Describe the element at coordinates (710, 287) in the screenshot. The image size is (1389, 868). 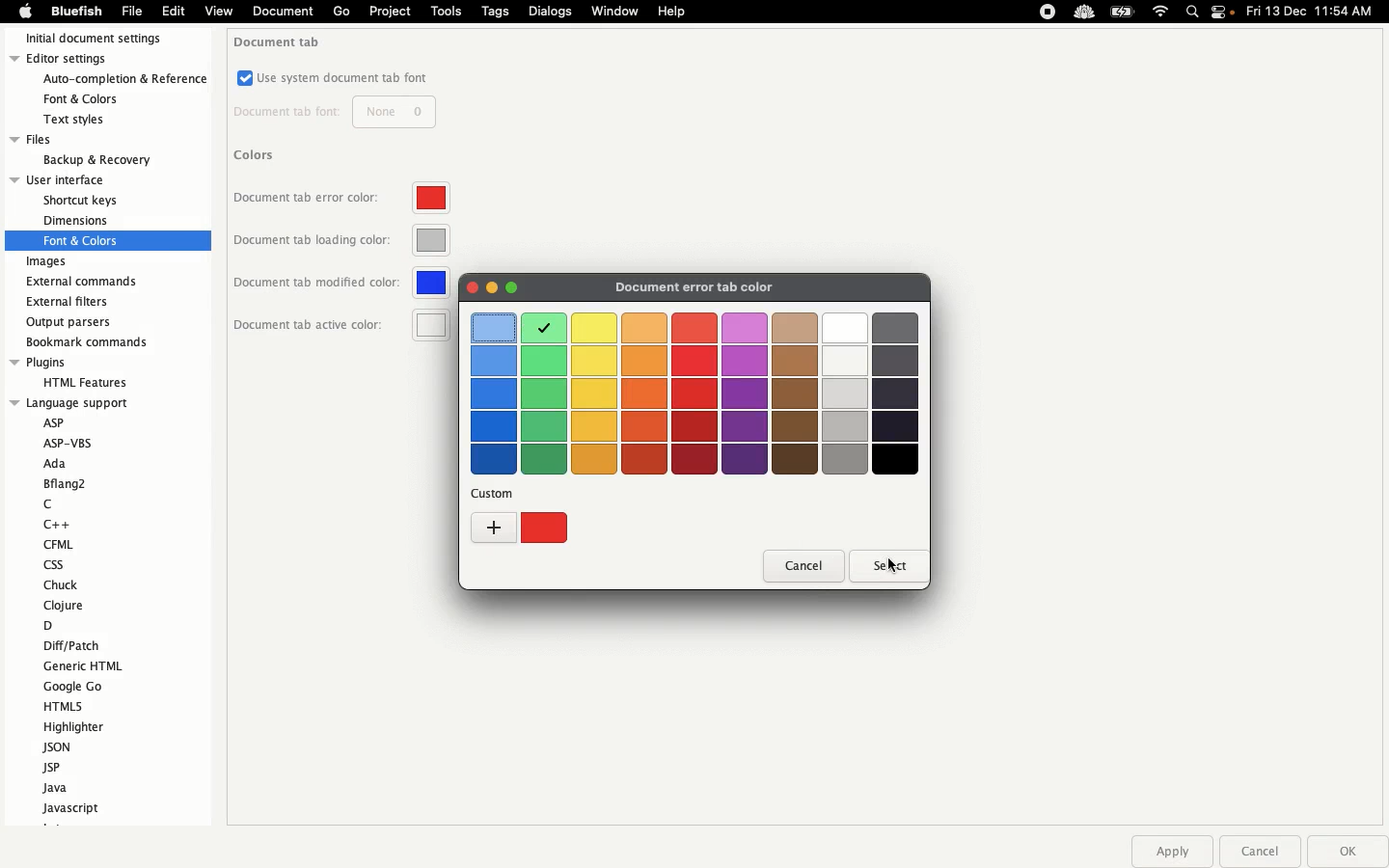
I see `Document error ta color` at that location.